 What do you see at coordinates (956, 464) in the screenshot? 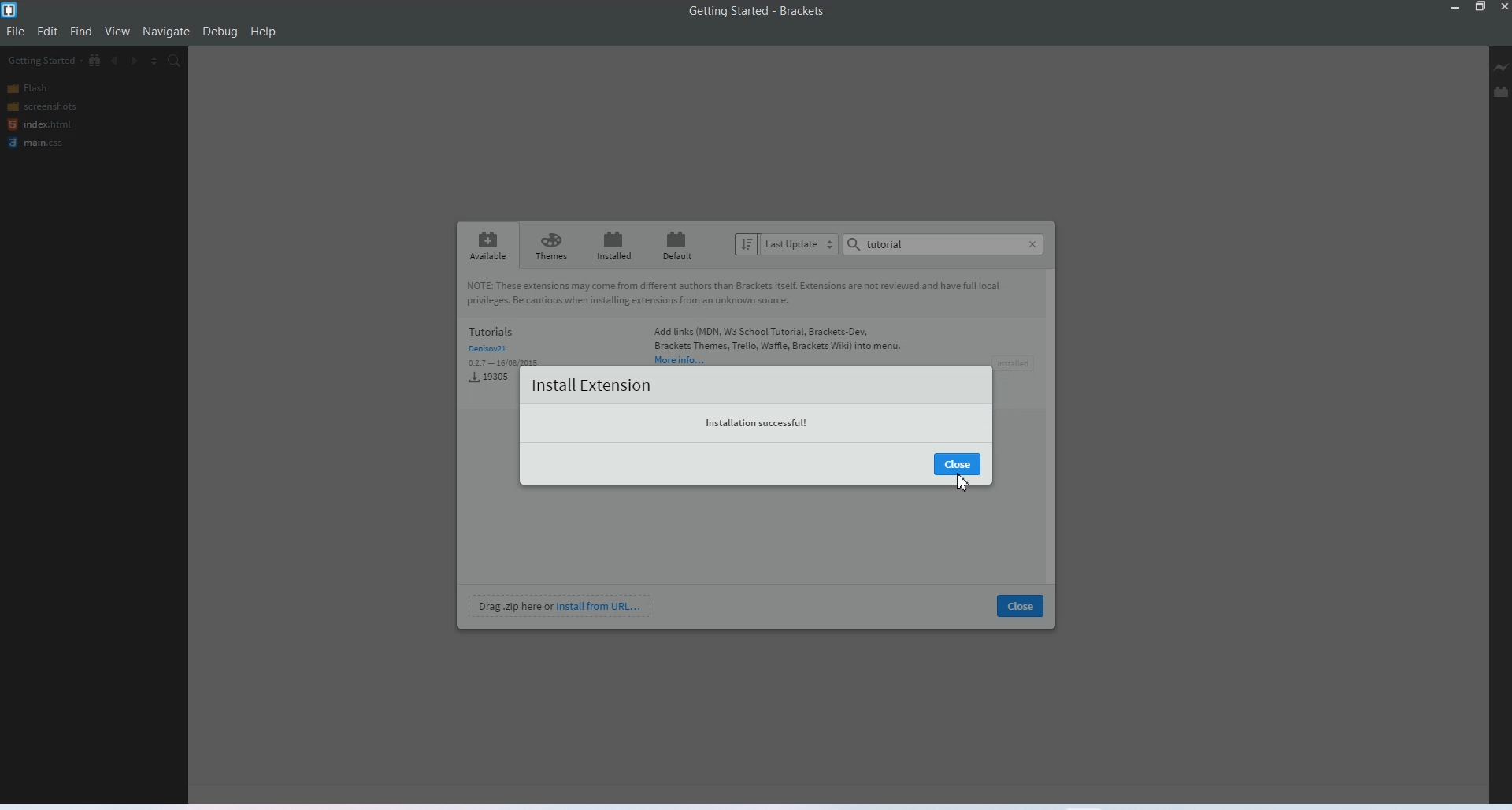
I see `Close` at bounding box center [956, 464].